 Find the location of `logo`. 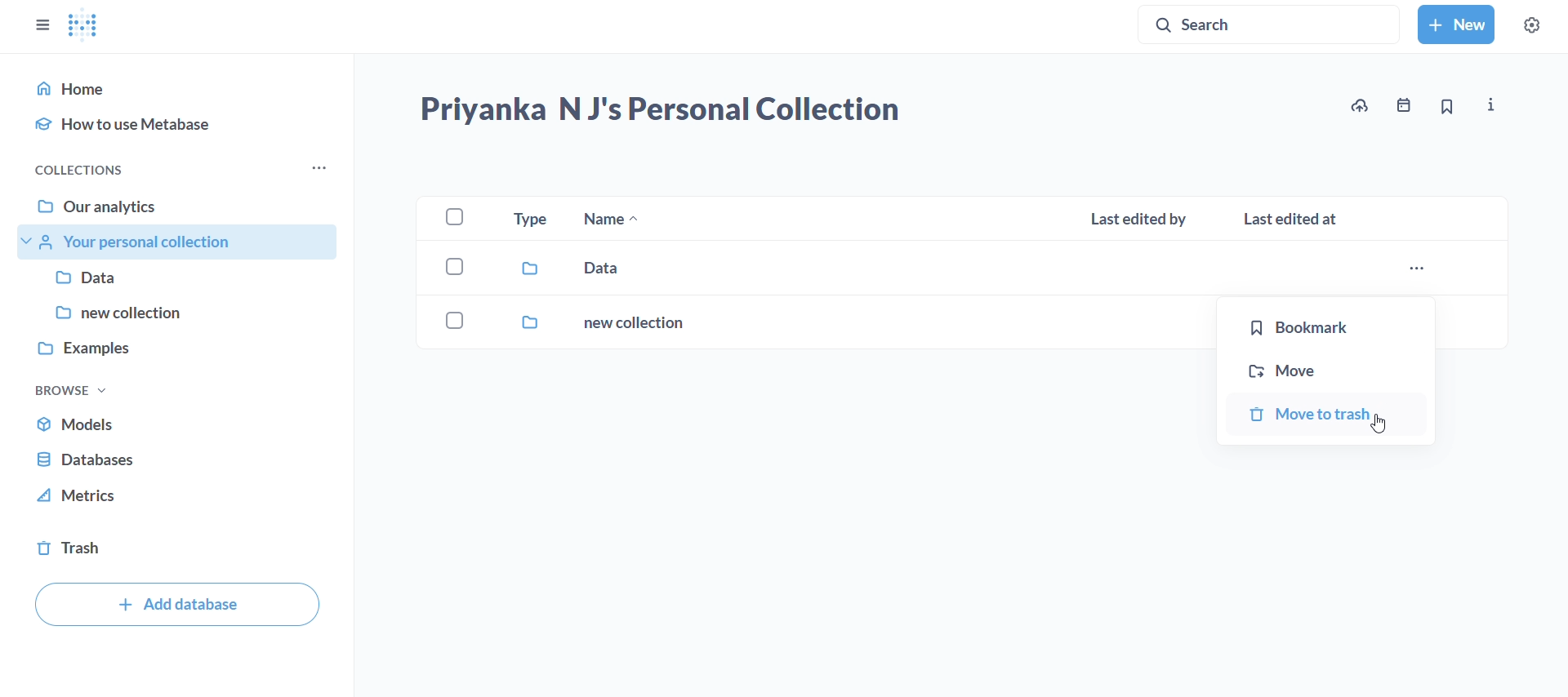

logo is located at coordinates (86, 27).